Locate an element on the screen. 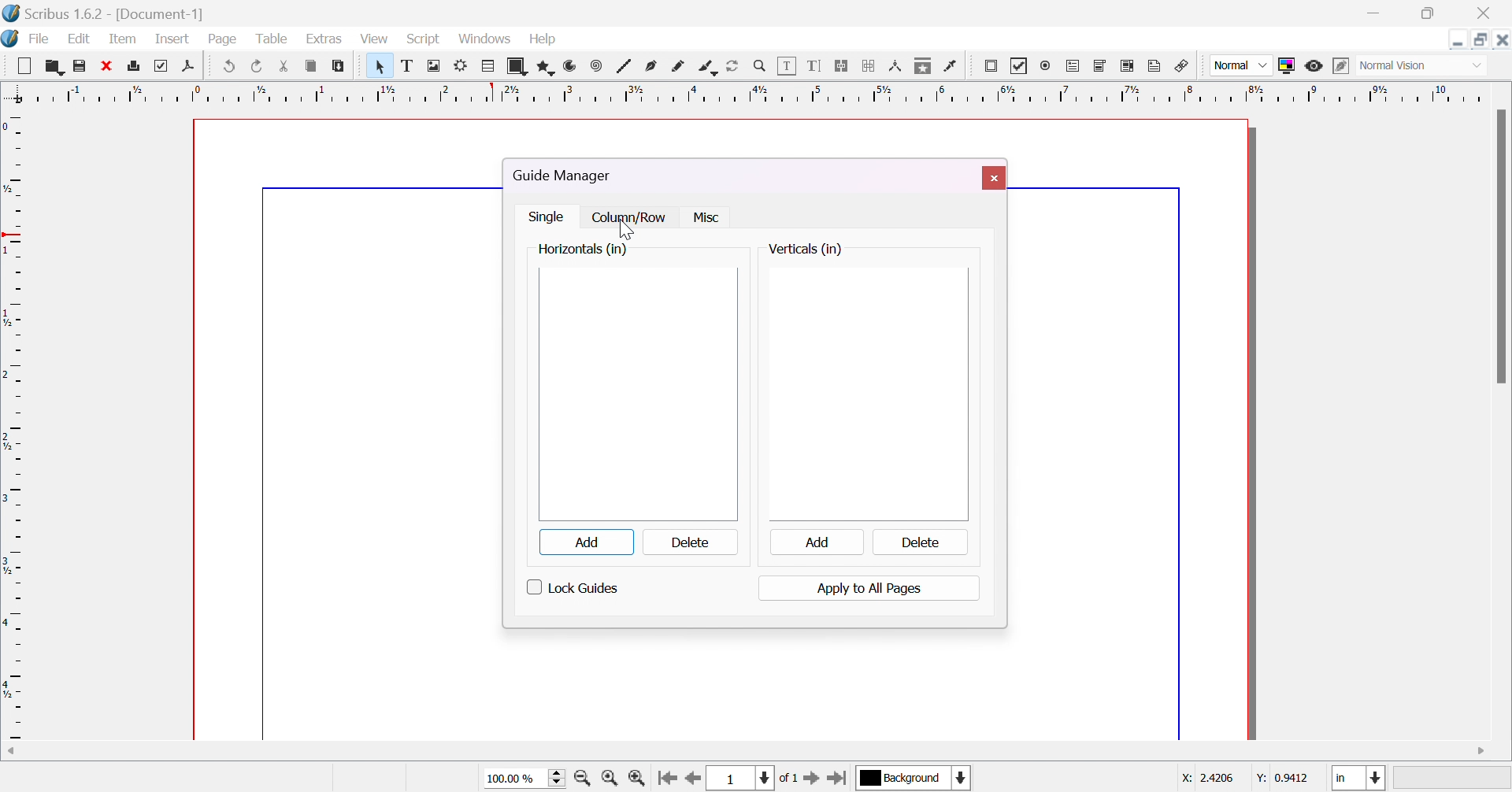  ruler is located at coordinates (13, 423).